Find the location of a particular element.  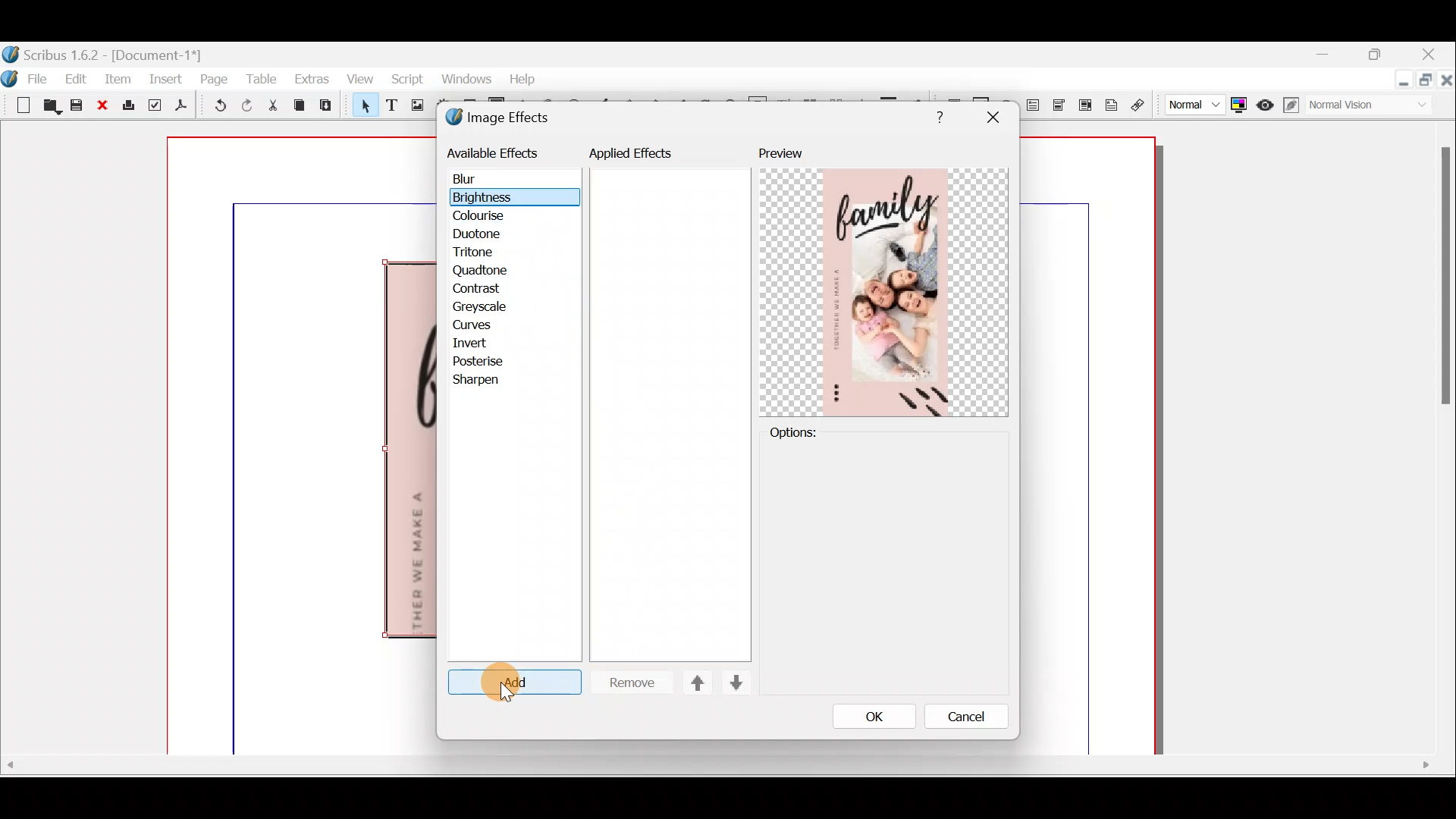

maximise is located at coordinates (1379, 57).